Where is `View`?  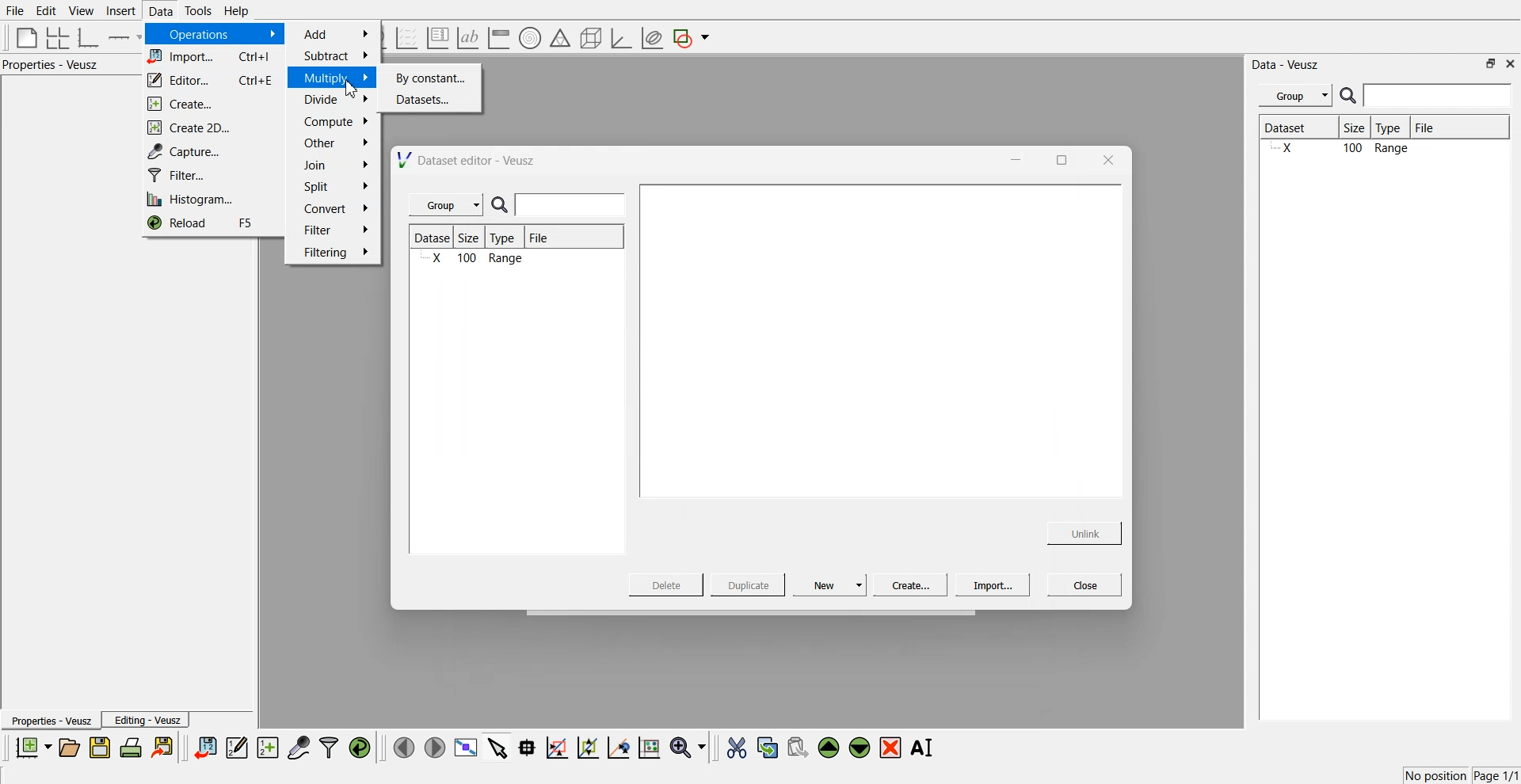
View is located at coordinates (80, 11).